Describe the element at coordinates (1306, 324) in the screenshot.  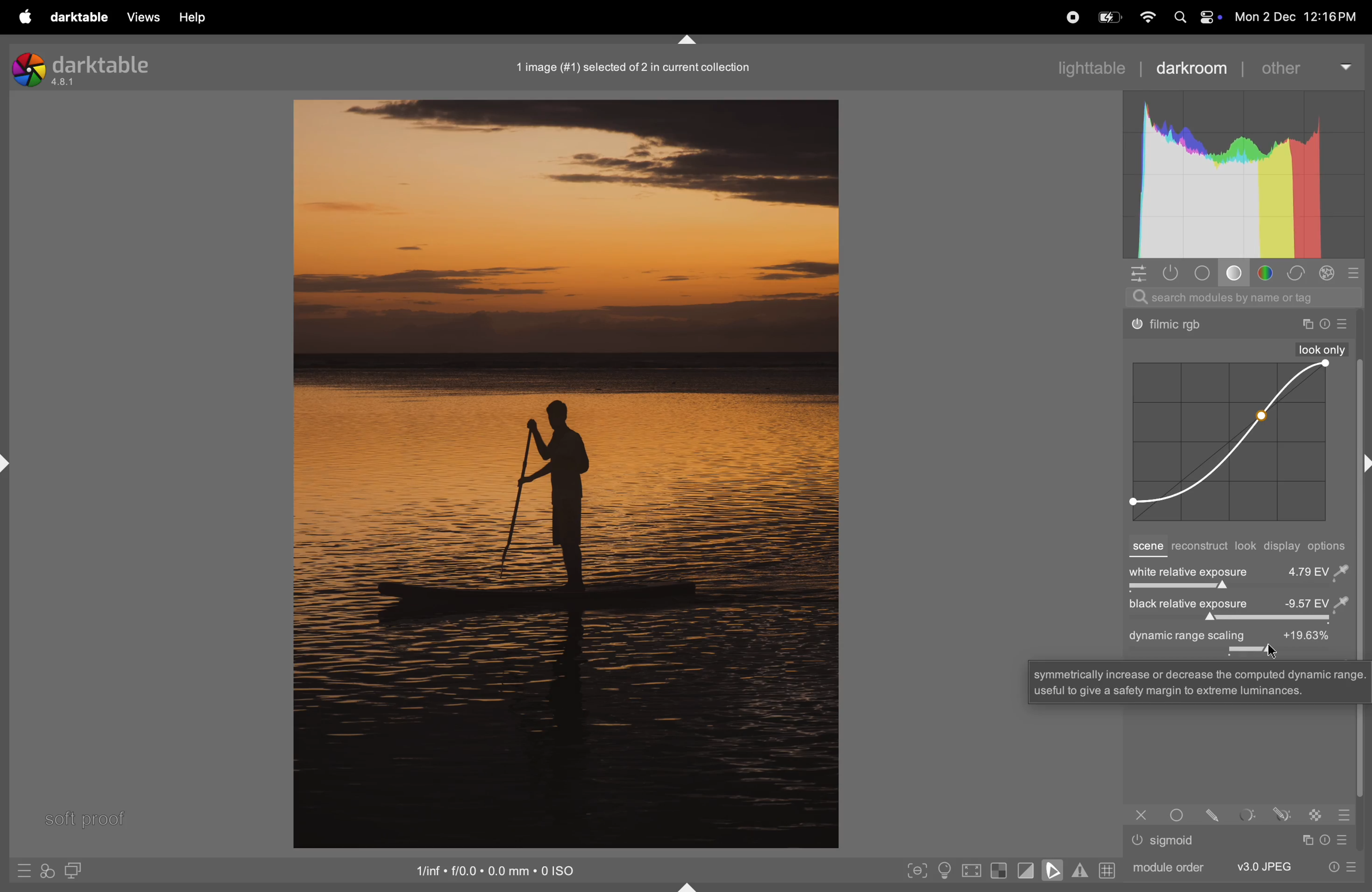
I see `` at that location.